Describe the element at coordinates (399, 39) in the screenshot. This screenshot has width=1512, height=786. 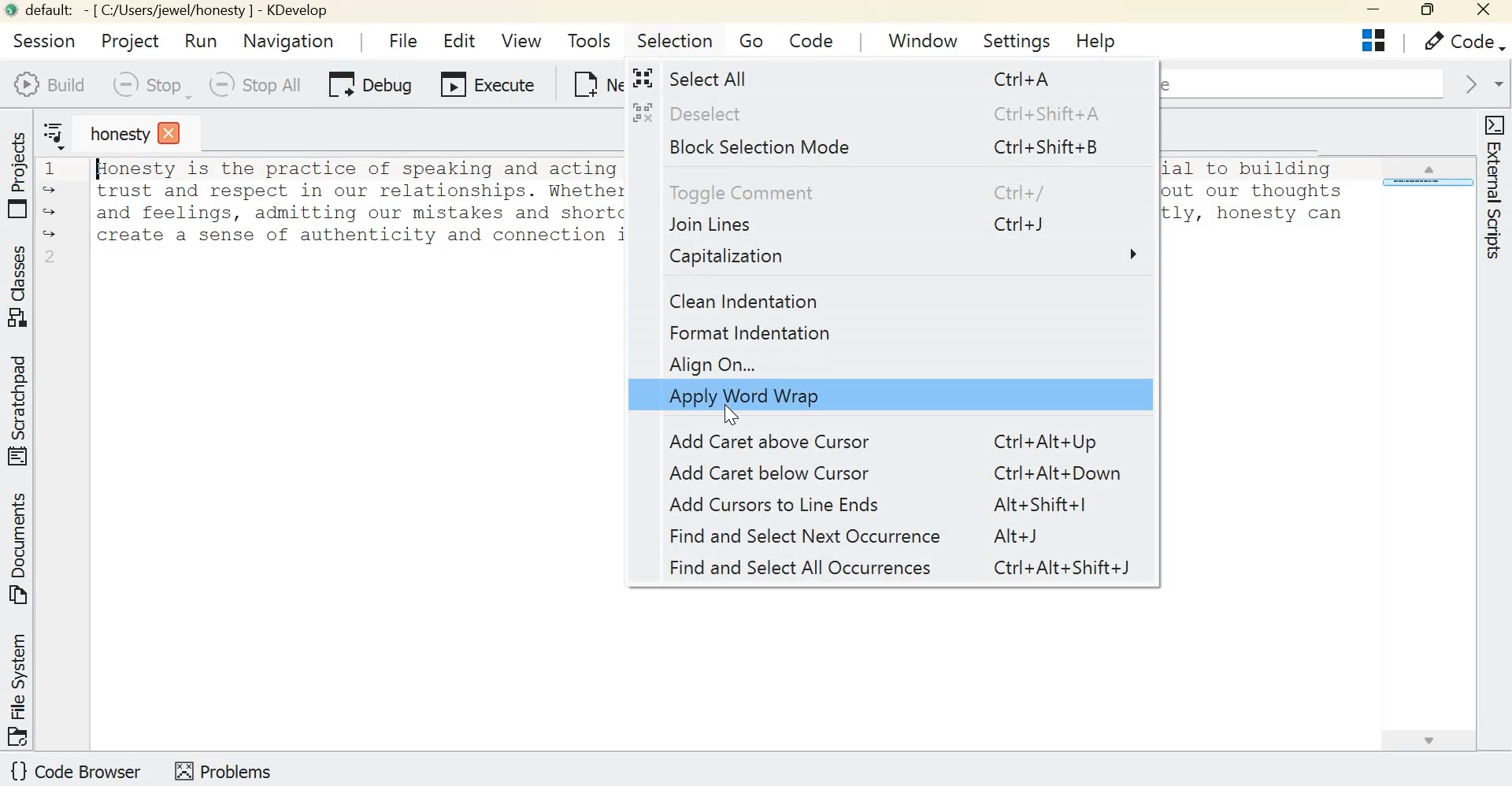
I see `File` at that location.